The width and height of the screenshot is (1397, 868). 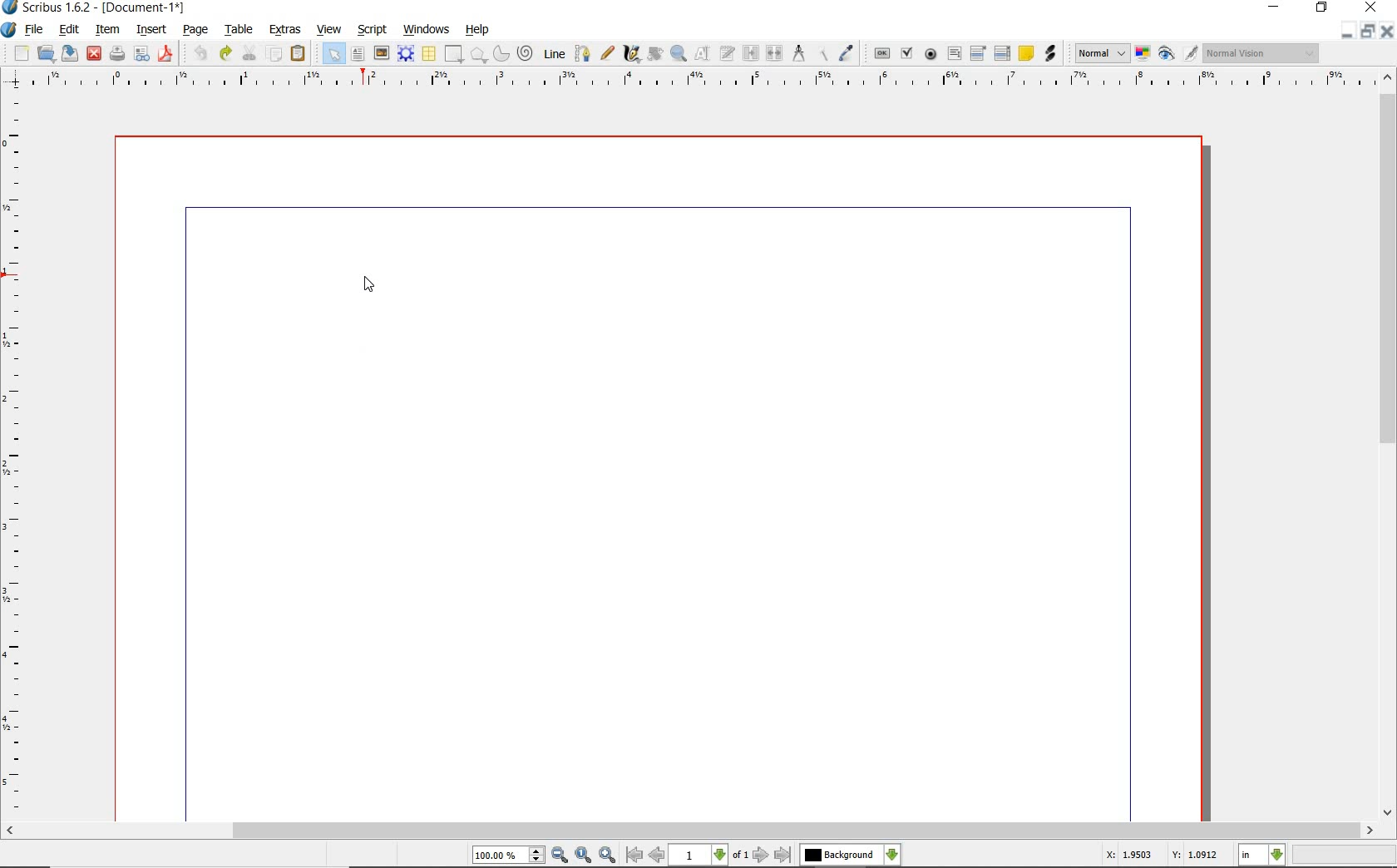 What do you see at coordinates (240, 31) in the screenshot?
I see `table` at bounding box center [240, 31].